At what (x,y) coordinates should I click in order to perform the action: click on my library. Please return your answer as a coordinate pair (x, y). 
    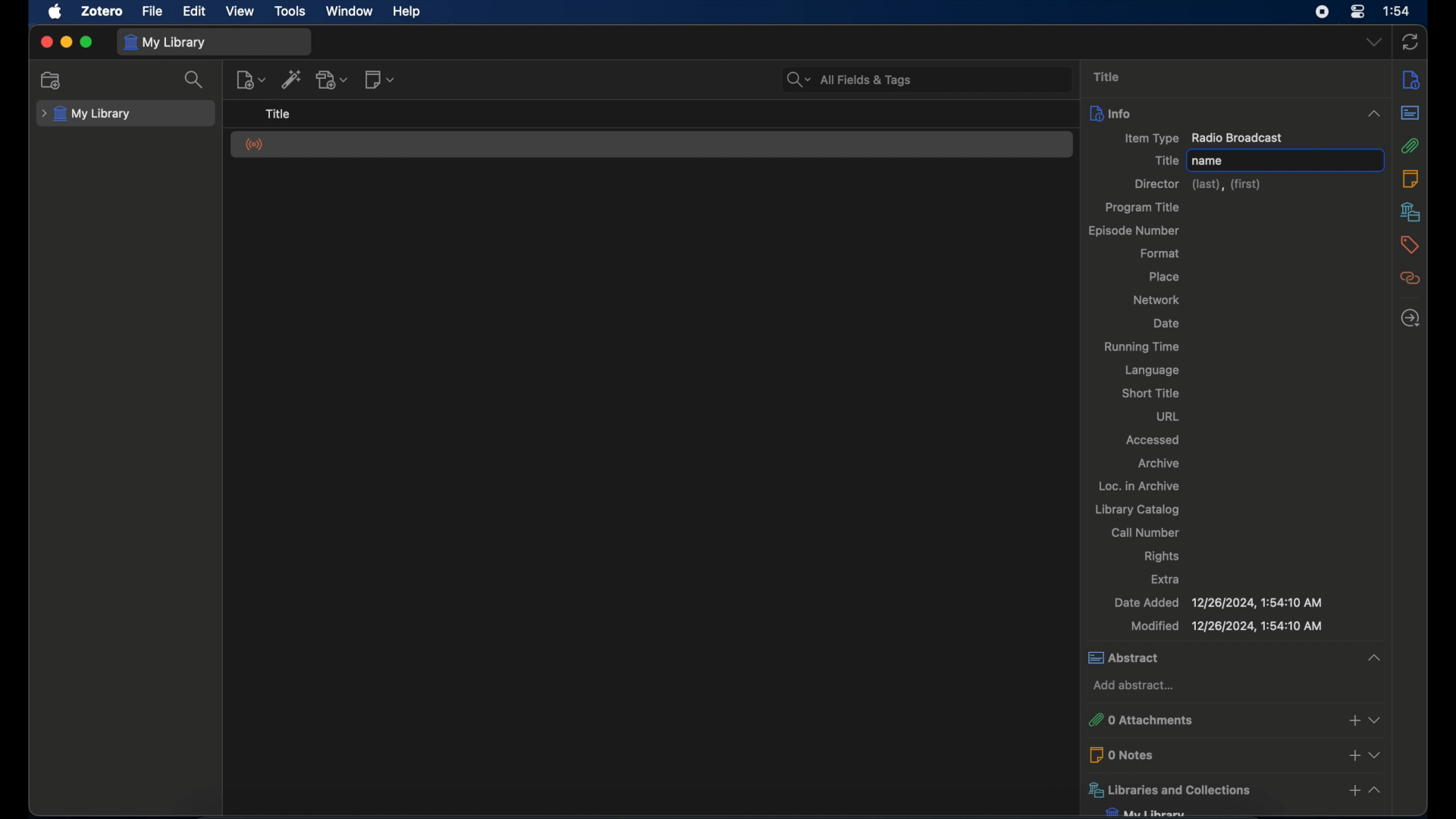
    Looking at the image, I should click on (167, 42).